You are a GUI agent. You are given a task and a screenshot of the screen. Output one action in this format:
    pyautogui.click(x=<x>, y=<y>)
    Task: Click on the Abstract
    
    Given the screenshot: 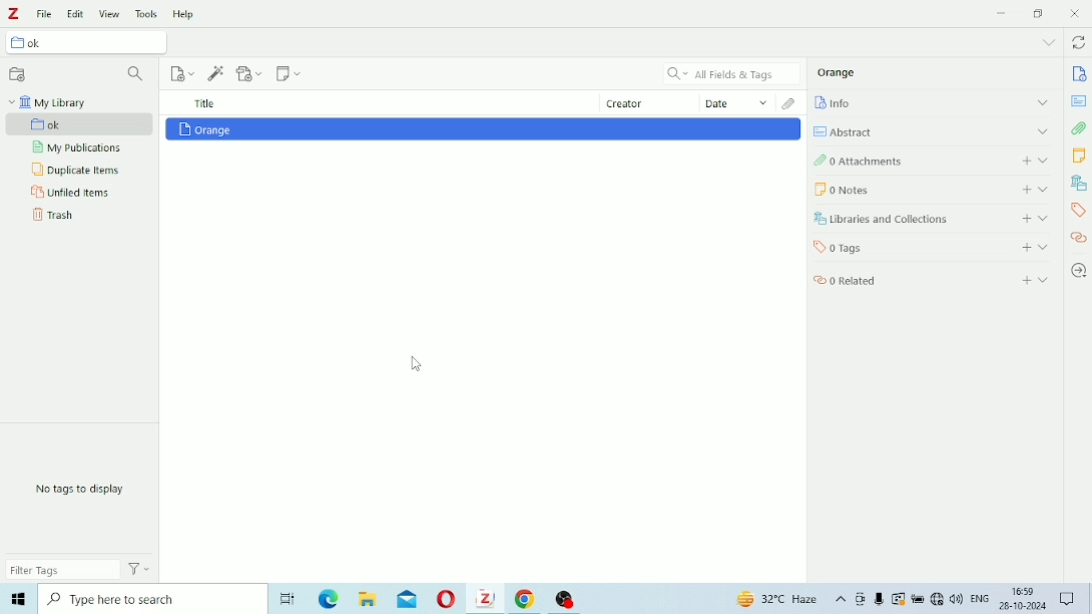 What is the action you would take?
    pyautogui.click(x=931, y=131)
    